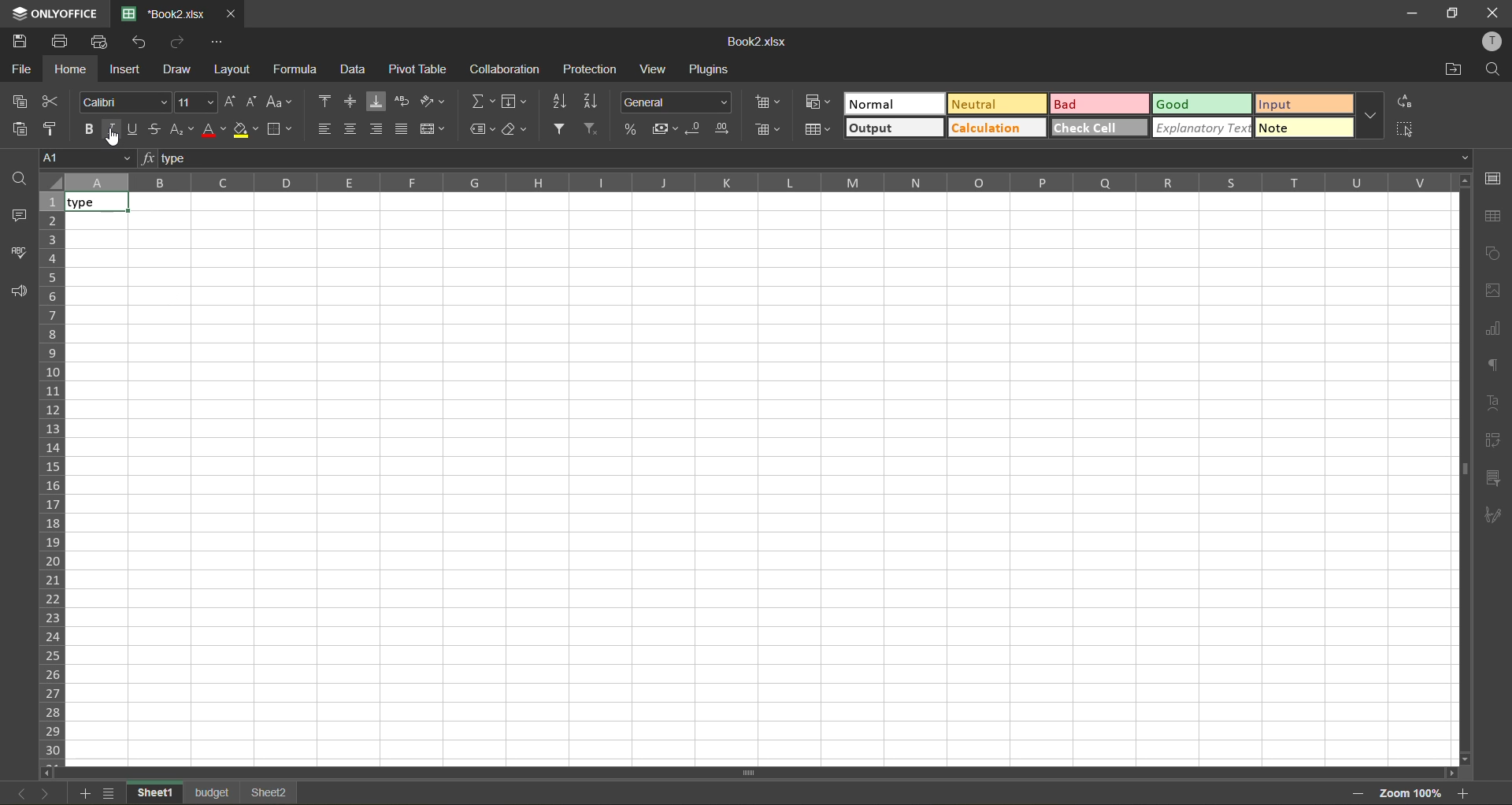 The image size is (1512, 805). I want to click on neutral, so click(995, 105).